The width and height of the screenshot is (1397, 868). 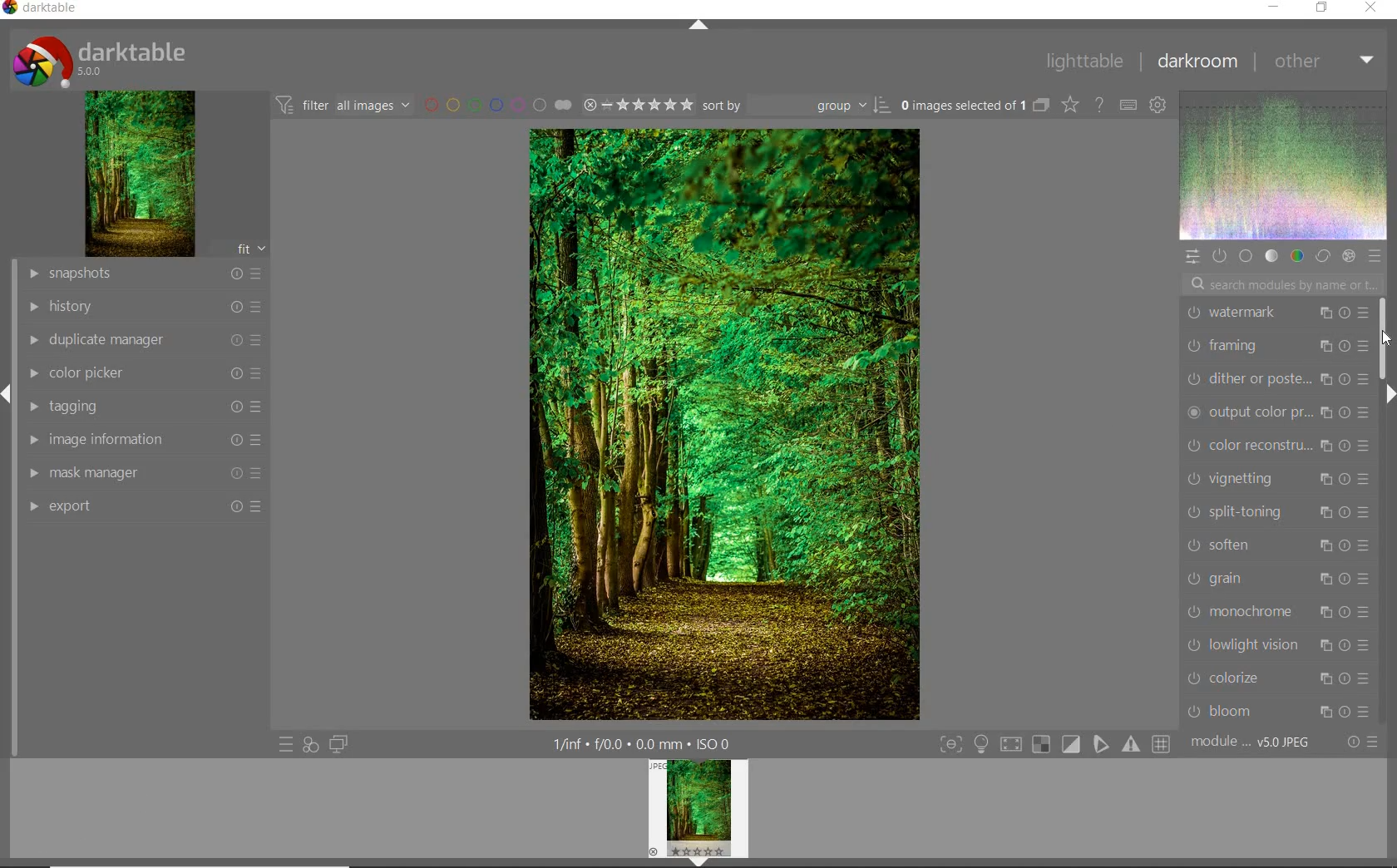 I want to click on QUICK ACCESS PANEL, so click(x=1193, y=256).